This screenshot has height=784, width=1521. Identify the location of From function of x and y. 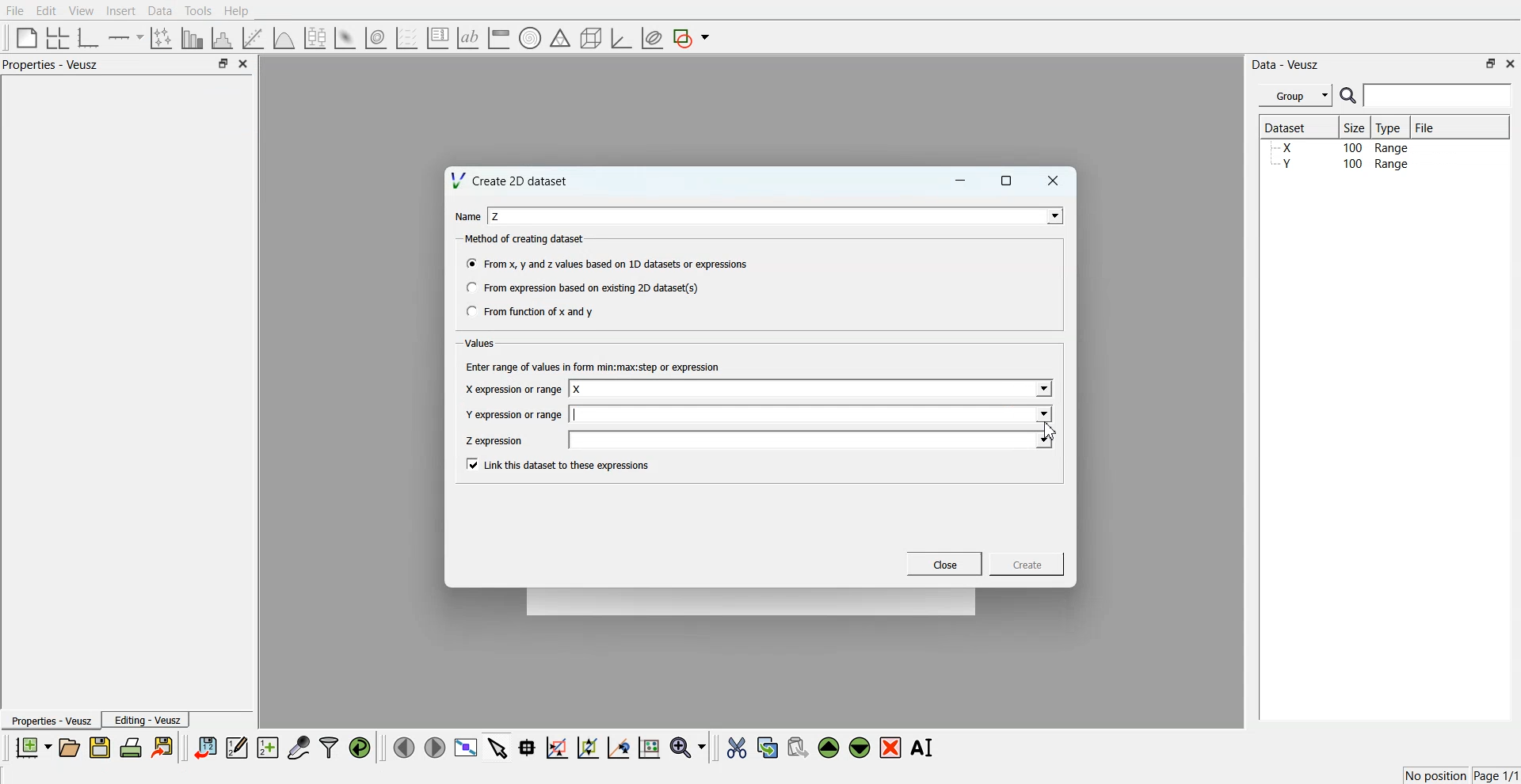
(532, 310).